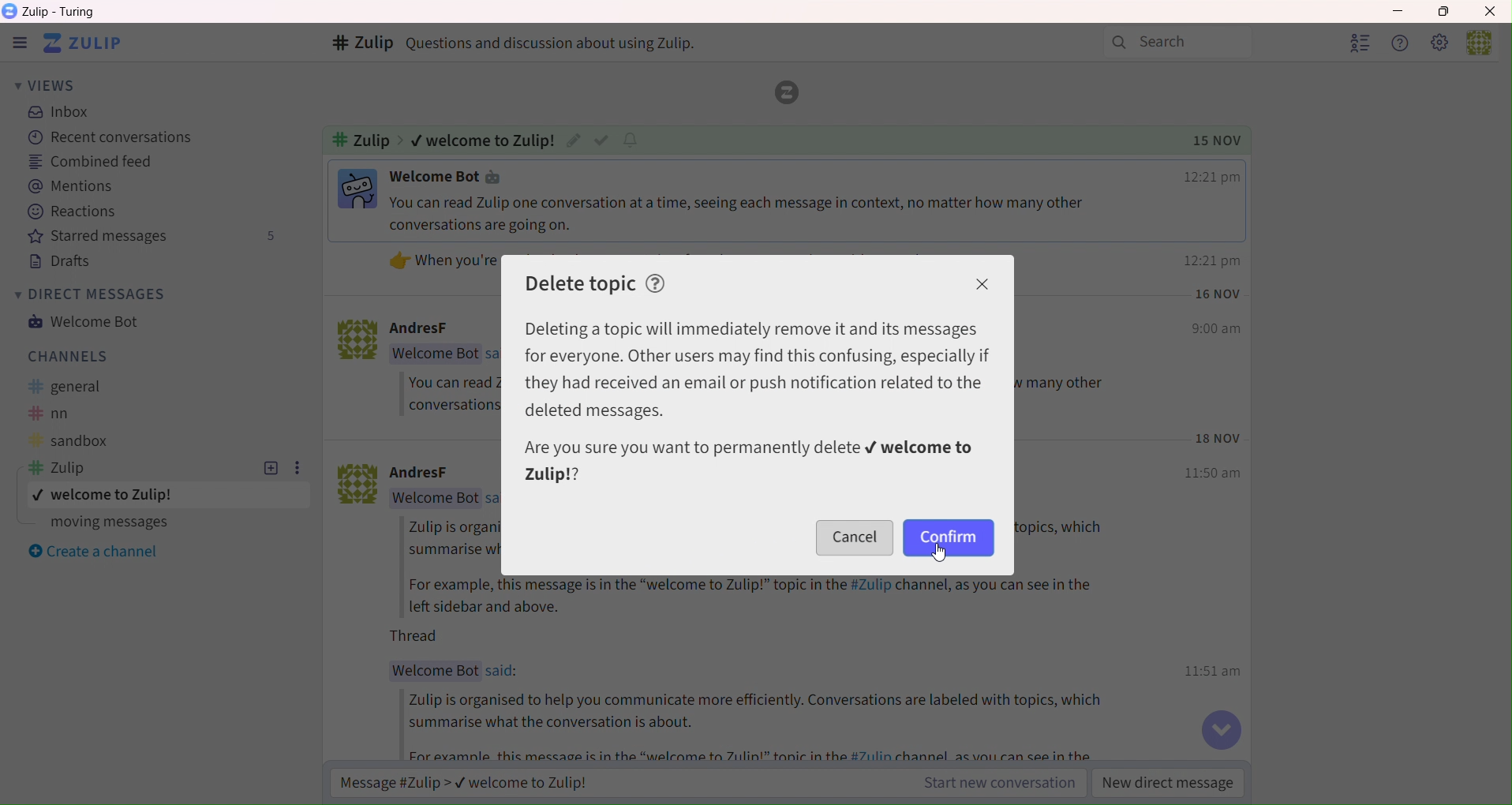 This screenshot has width=1512, height=805. I want to click on Time, so click(1214, 260).